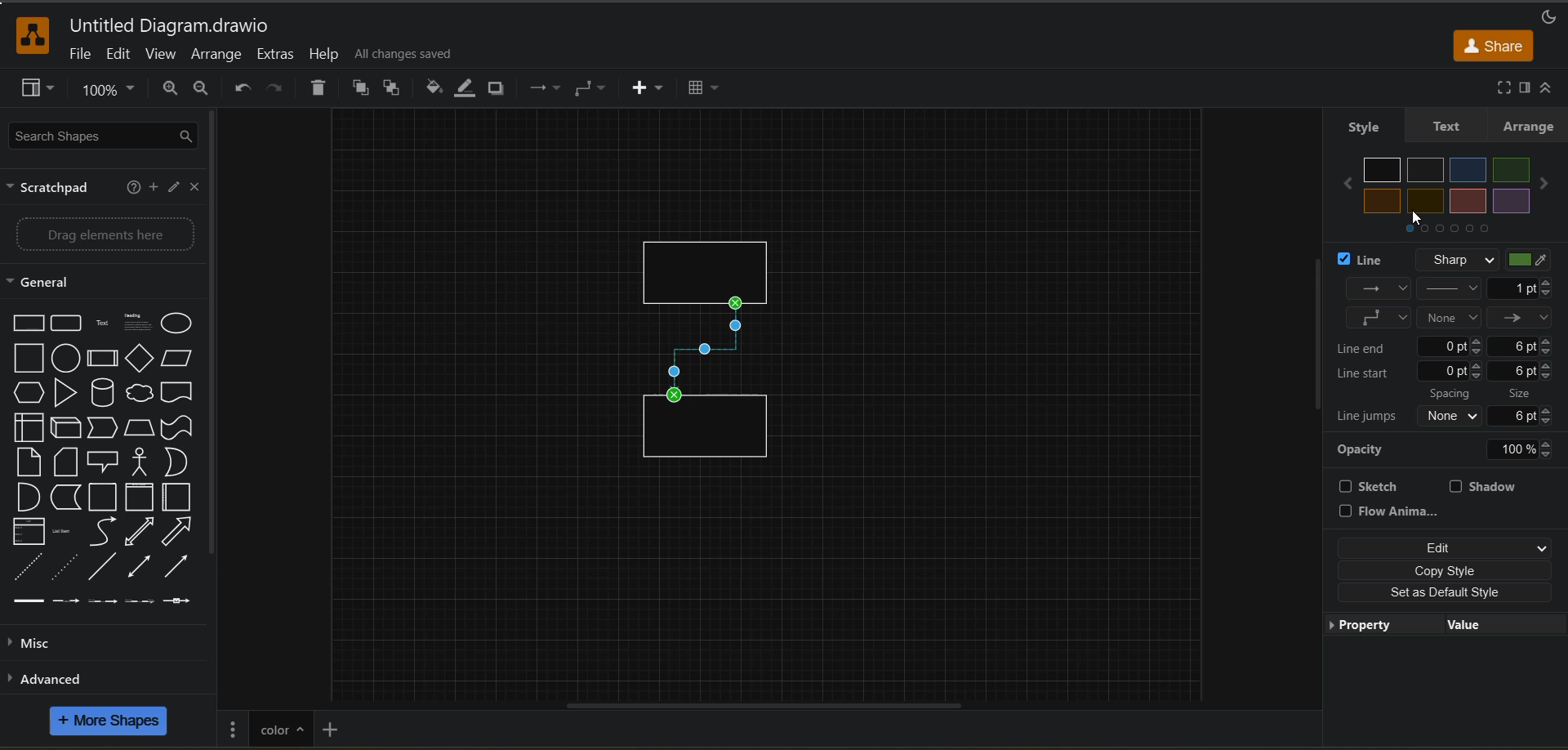  Describe the element at coordinates (139, 323) in the screenshot. I see `Heading` at that location.